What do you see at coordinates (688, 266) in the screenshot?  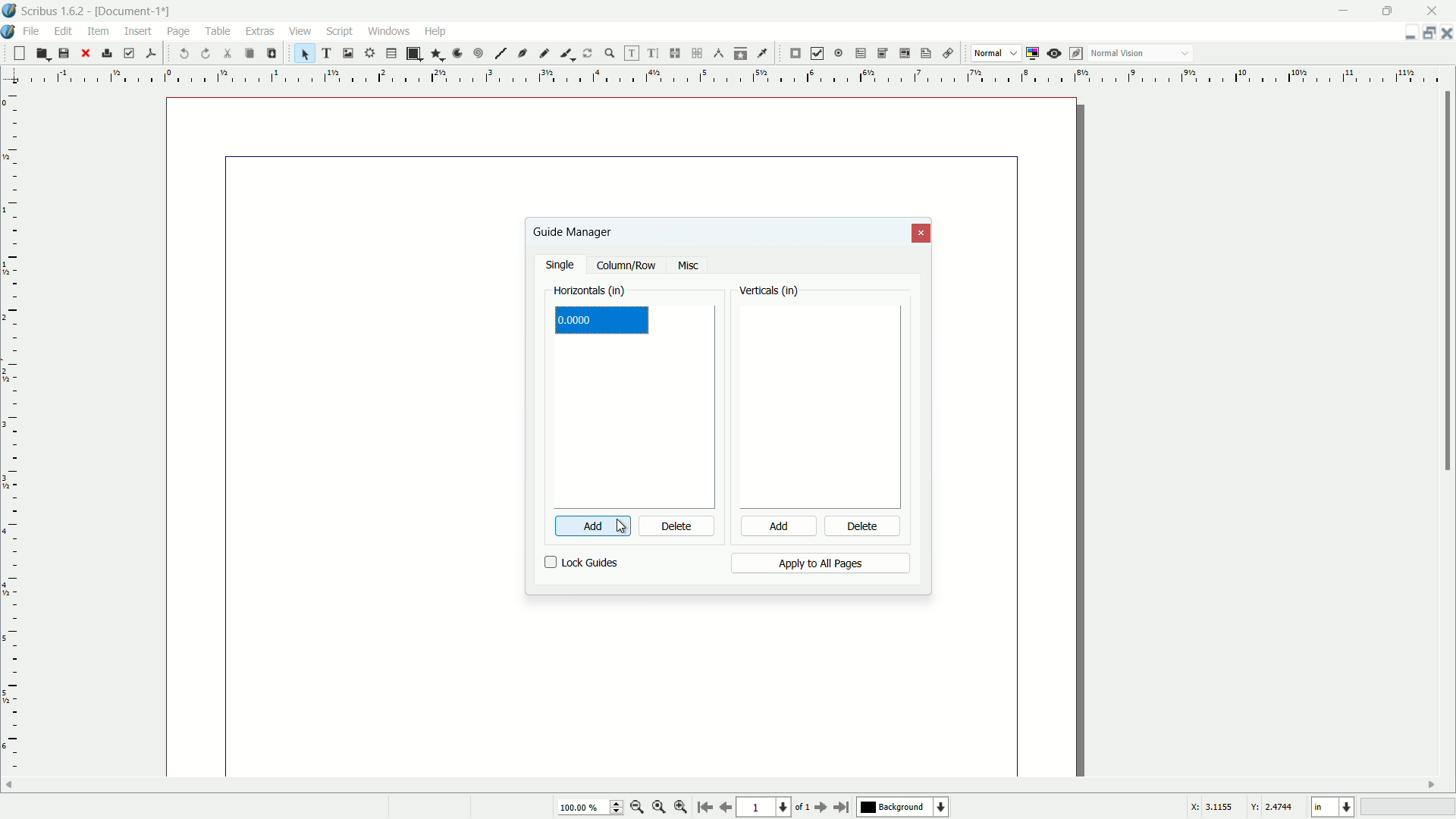 I see `misc` at bounding box center [688, 266].